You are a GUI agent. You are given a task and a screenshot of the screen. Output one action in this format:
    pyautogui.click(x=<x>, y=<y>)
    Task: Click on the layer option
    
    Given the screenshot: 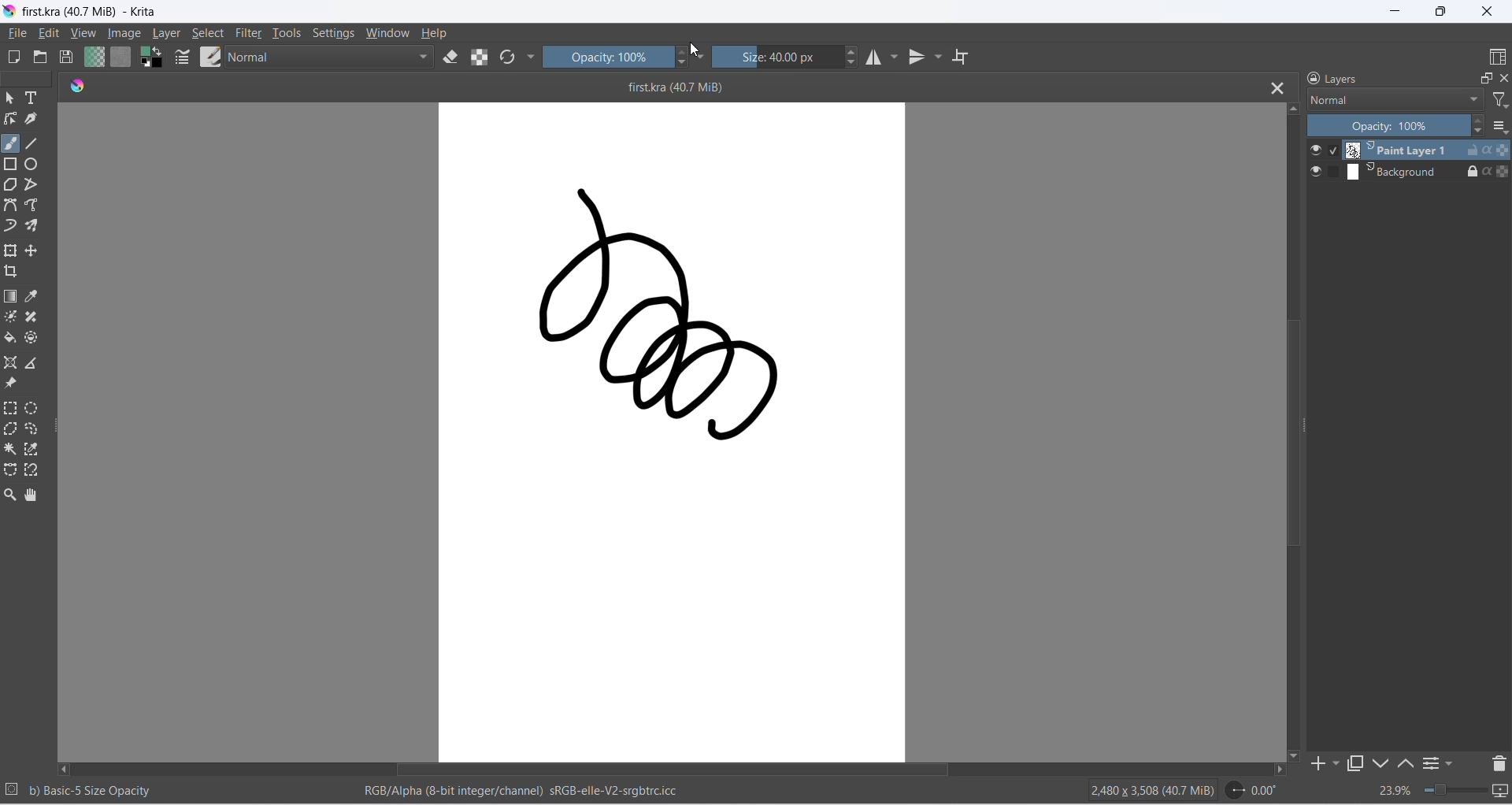 What is the action you would take?
    pyautogui.click(x=1451, y=763)
    